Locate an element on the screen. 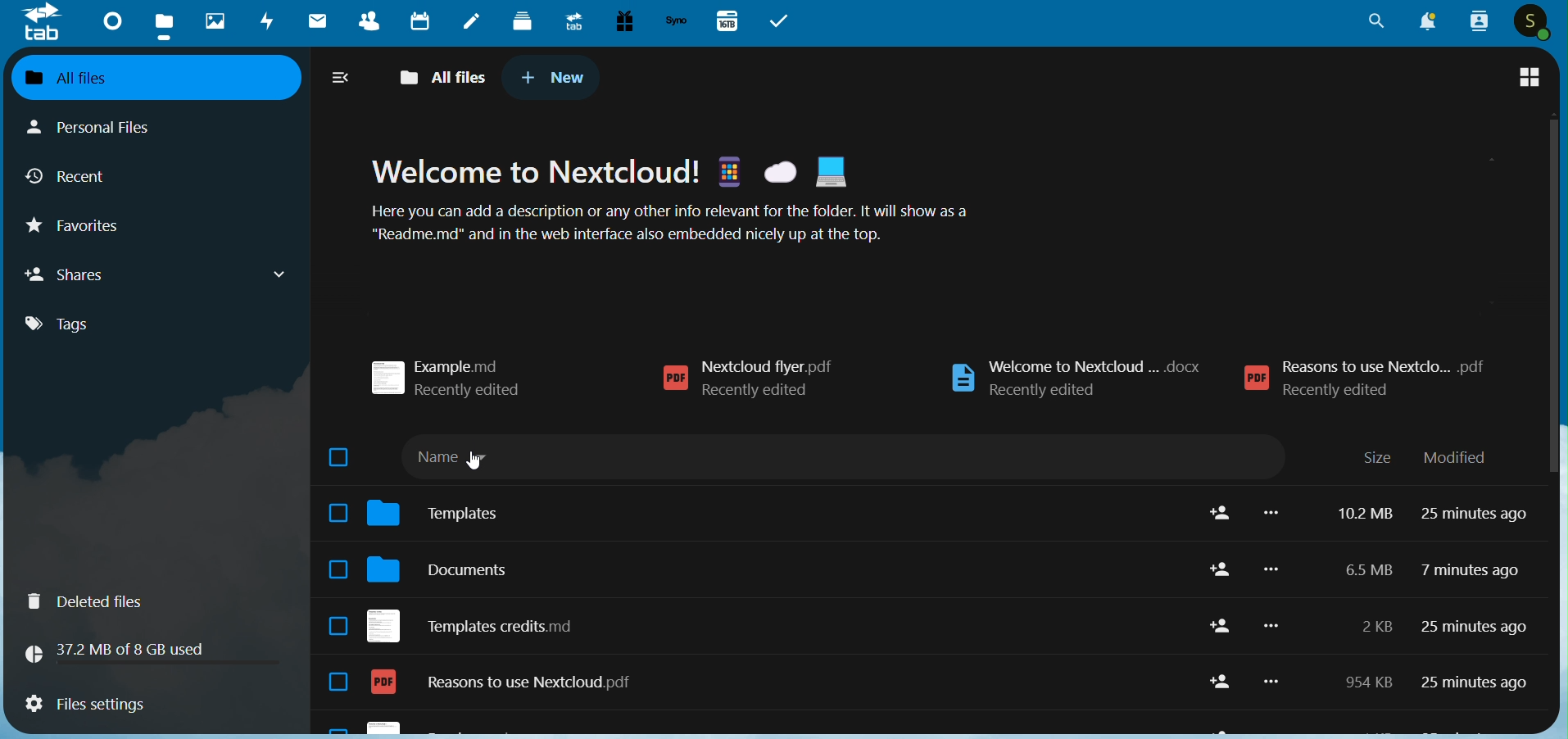 The width and height of the screenshot is (1568, 739). Cursor is located at coordinates (471, 461).